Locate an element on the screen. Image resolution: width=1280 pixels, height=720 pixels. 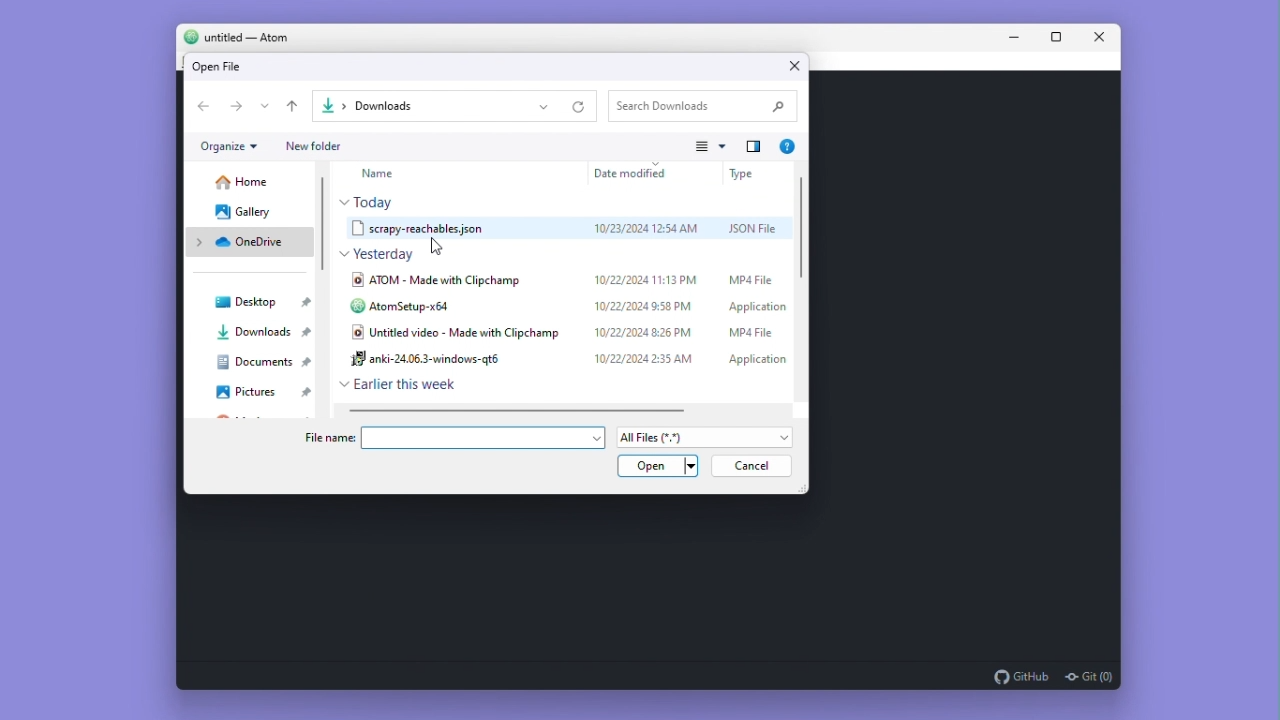
Go back is located at coordinates (201, 107).